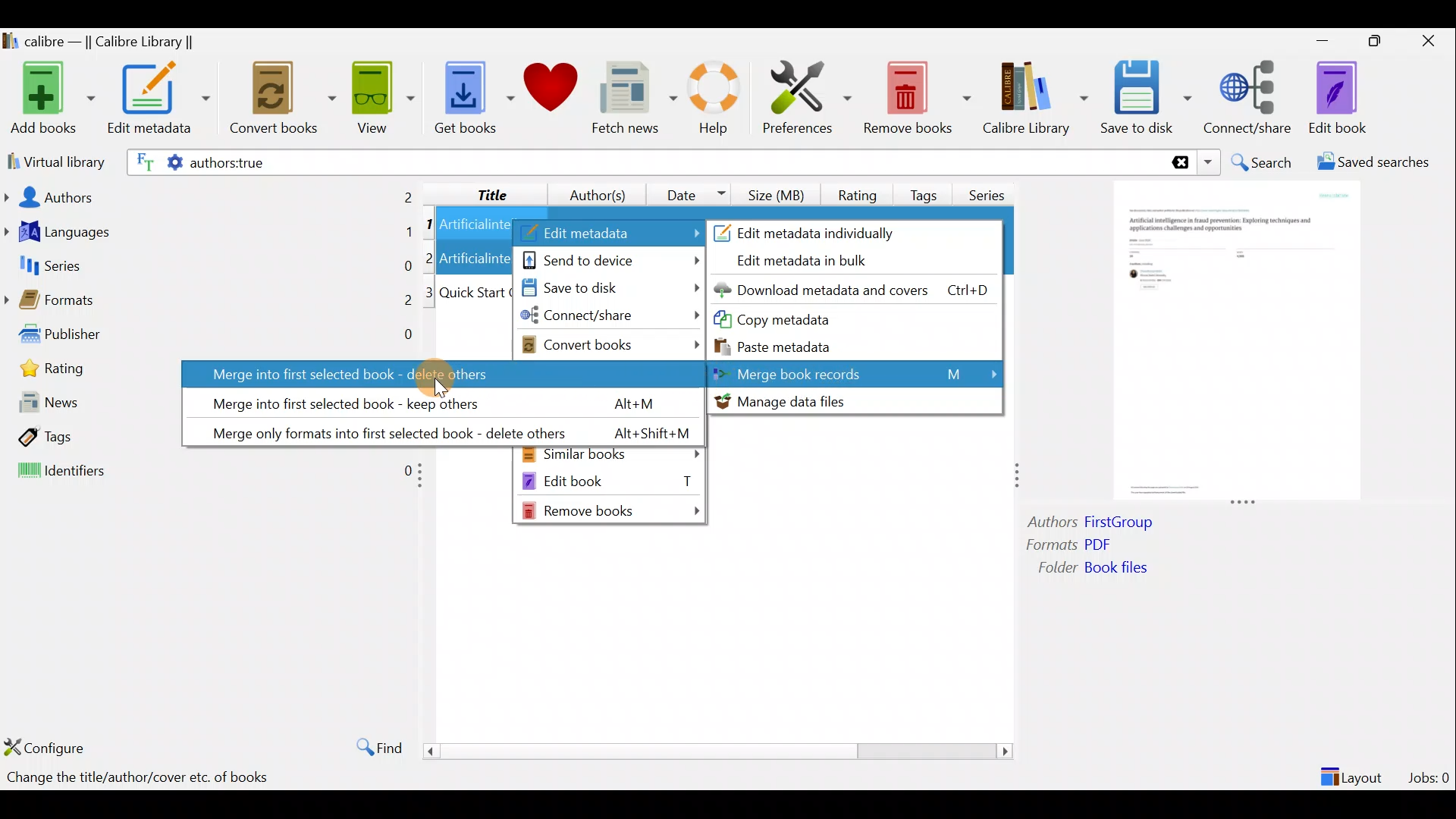  What do you see at coordinates (609, 480) in the screenshot?
I see `Edit book` at bounding box center [609, 480].